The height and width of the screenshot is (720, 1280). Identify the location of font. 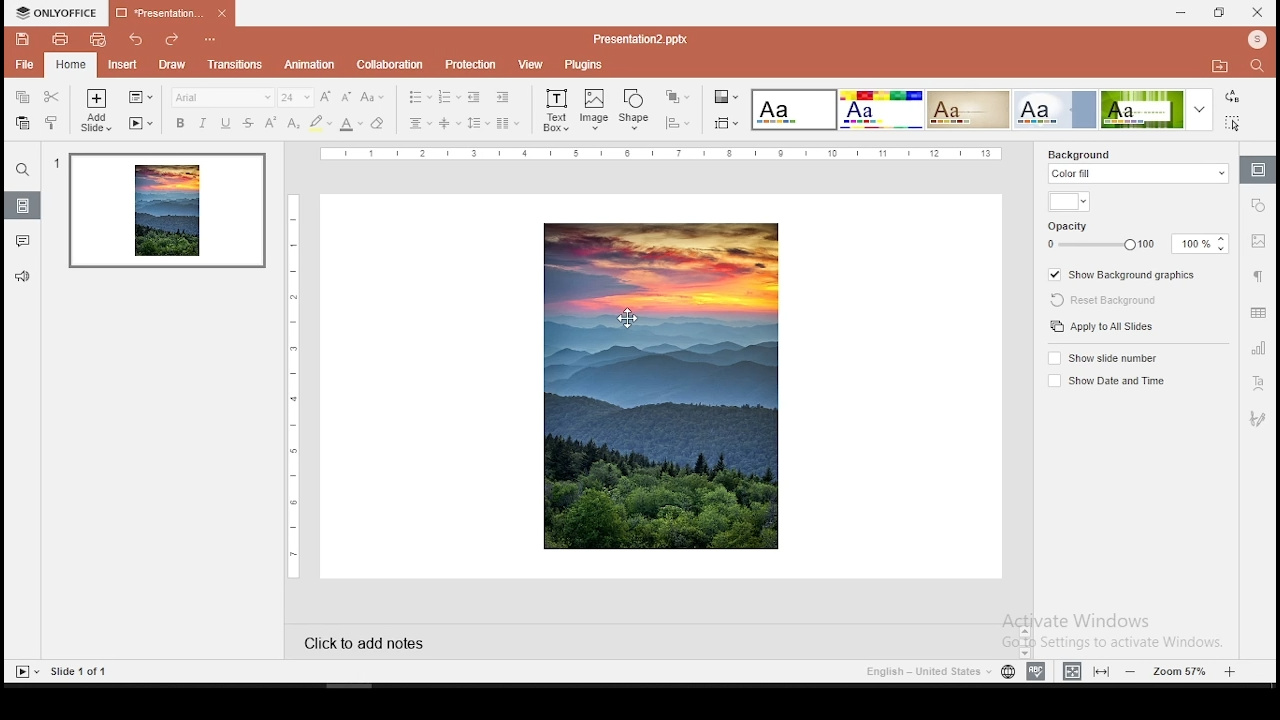
(223, 98).